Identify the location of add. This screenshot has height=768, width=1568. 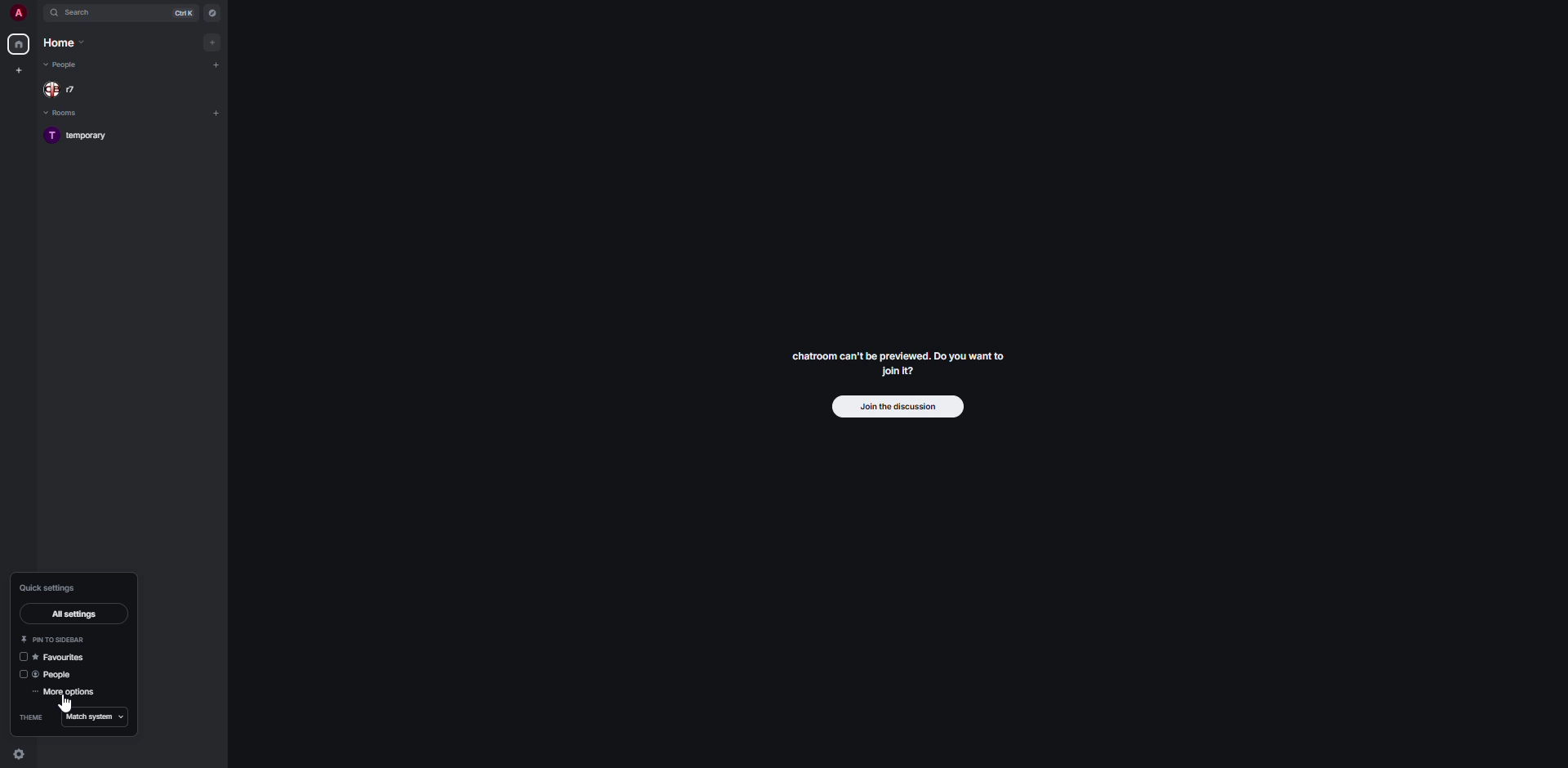
(212, 41).